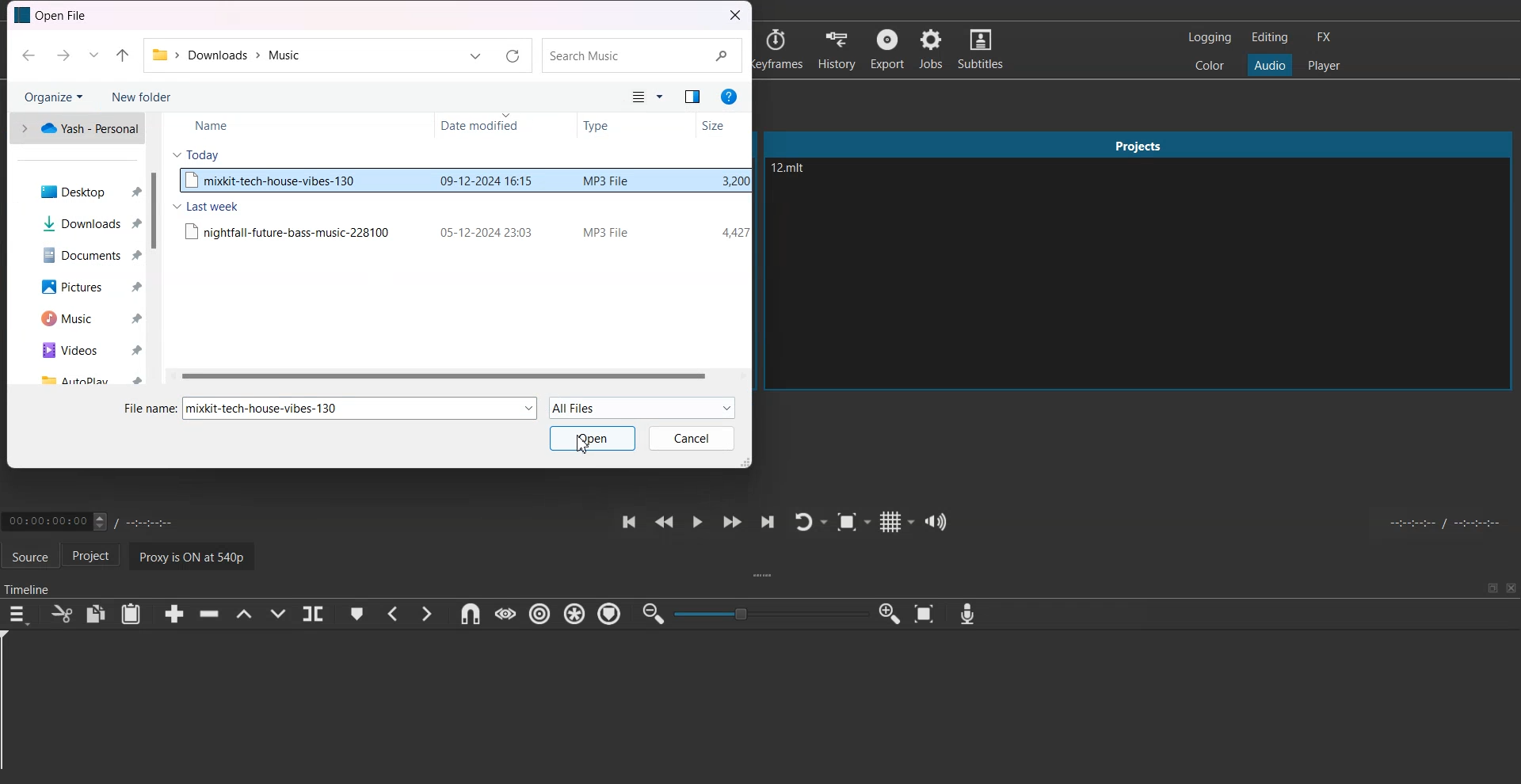 This screenshot has height=784, width=1521. What do you see at coordinates (1325, 64) in the screenshot?
I see `Switch to the Player layout` at bounding box center [1325, 64].